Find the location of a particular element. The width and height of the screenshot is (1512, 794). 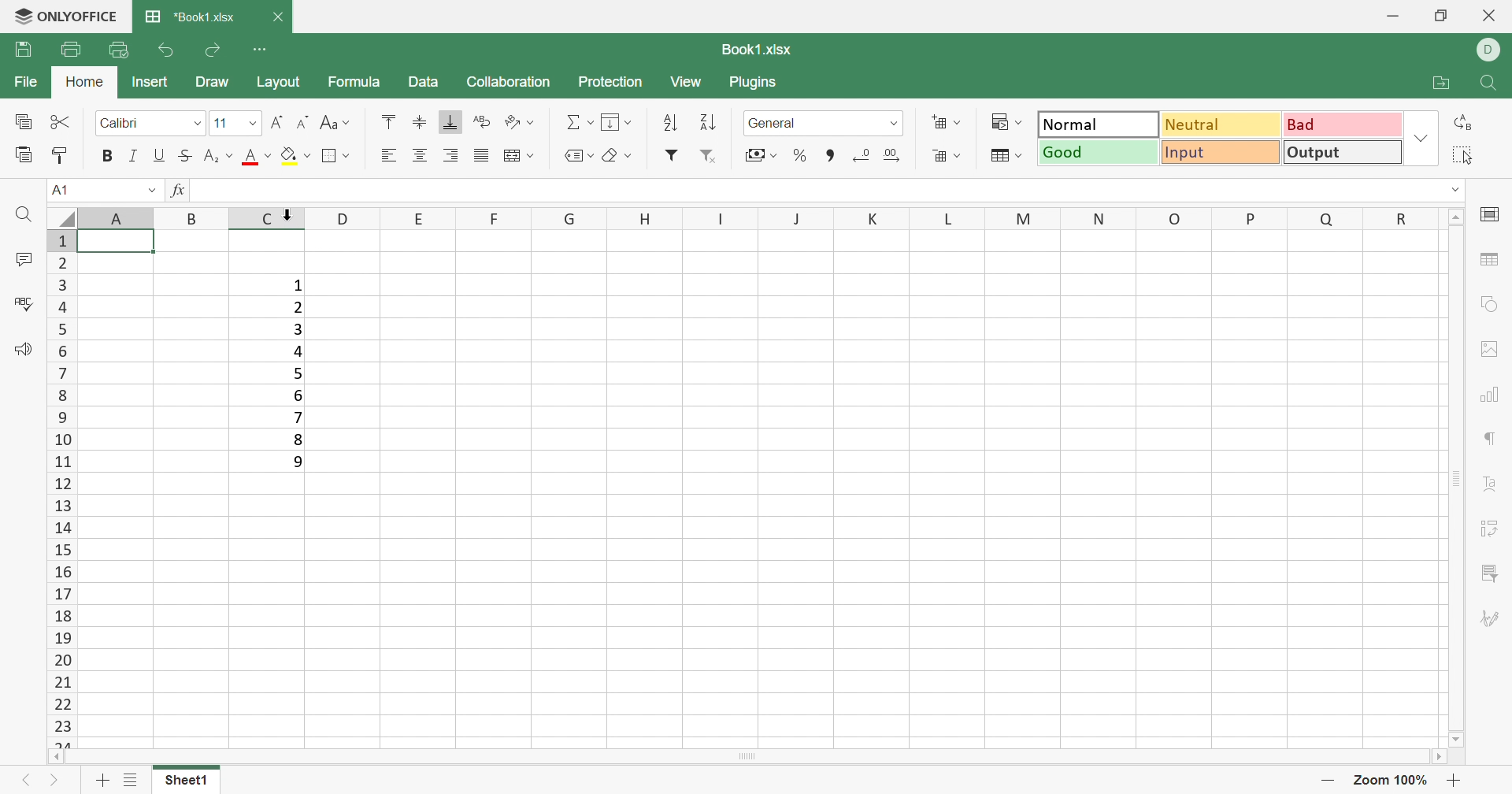

Cell settings is located at coordinates (1493, 215).